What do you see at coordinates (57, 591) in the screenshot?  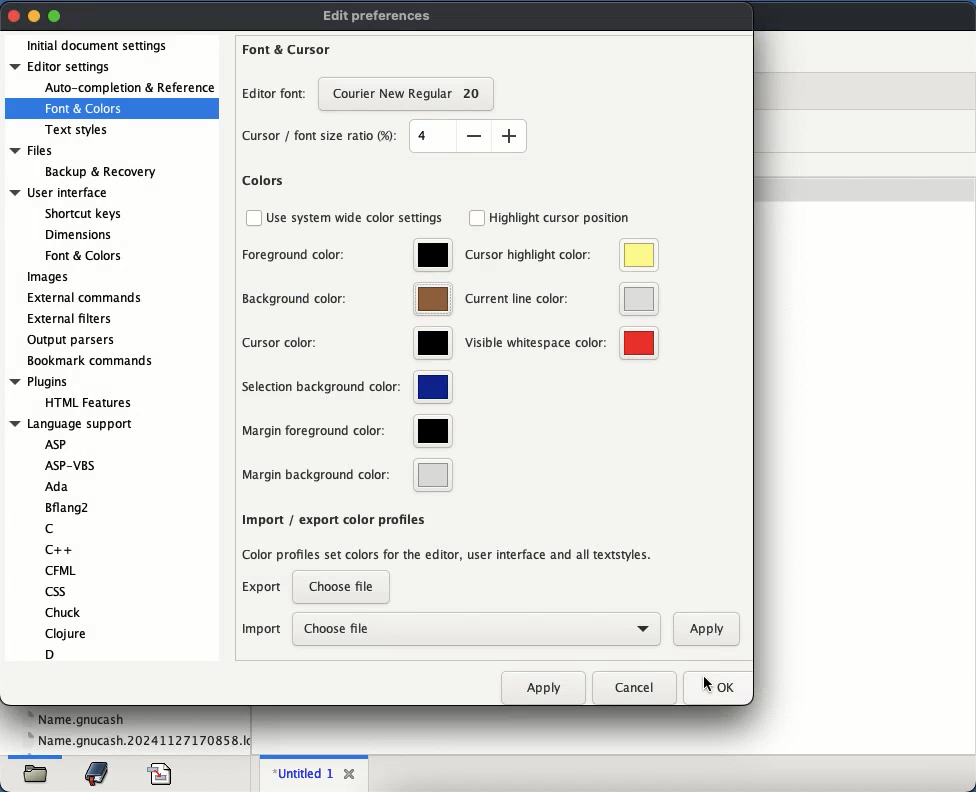 I see `css` at bounding box center [57, 591].